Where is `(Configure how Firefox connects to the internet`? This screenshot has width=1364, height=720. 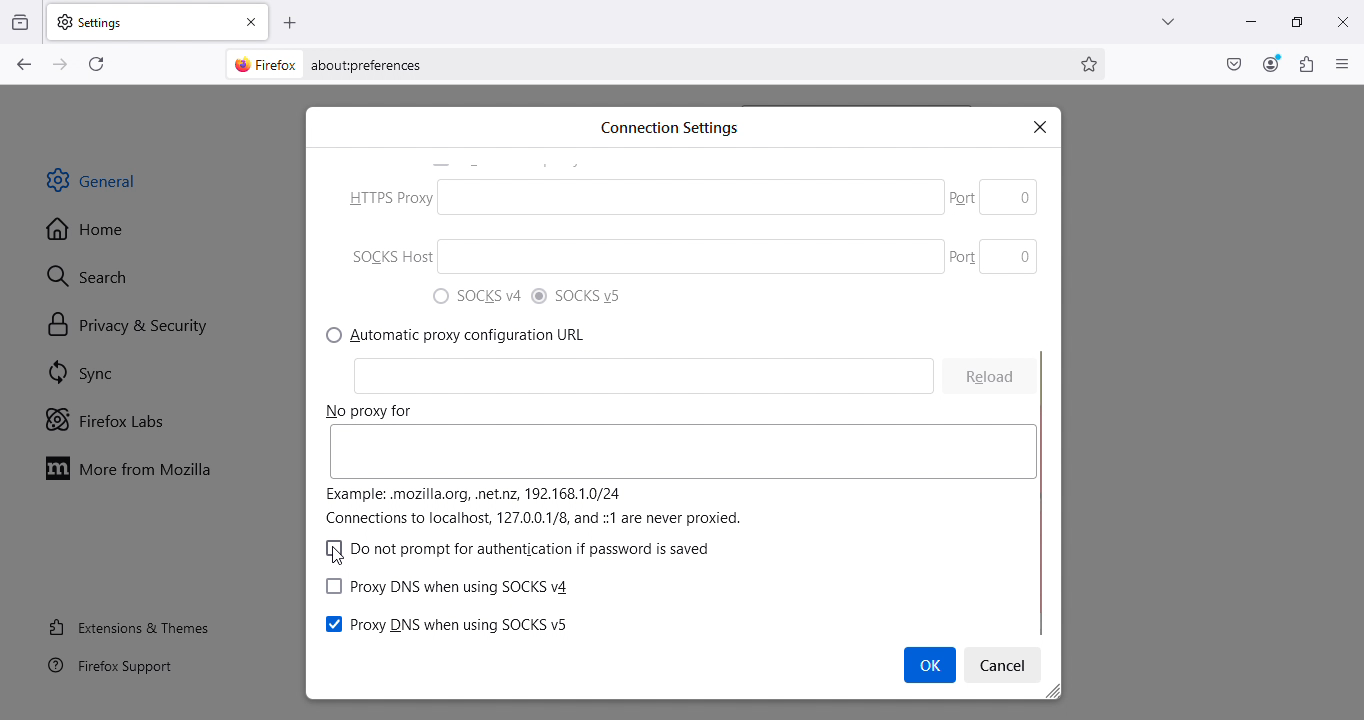 (Configure how Firefox connects to the internet is located at coordinates (594, 624).